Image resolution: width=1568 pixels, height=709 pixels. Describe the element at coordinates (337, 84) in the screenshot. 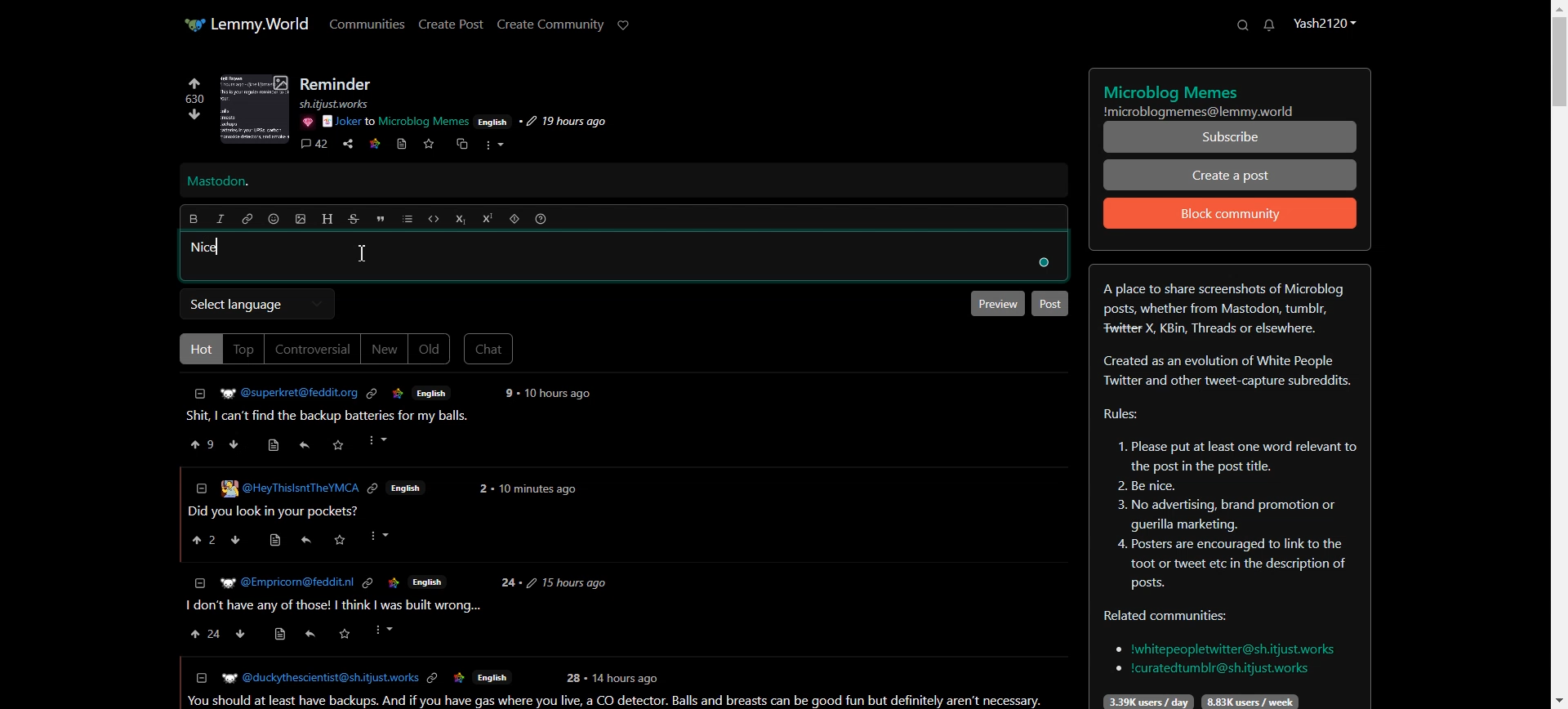

I see `Text` at that location.